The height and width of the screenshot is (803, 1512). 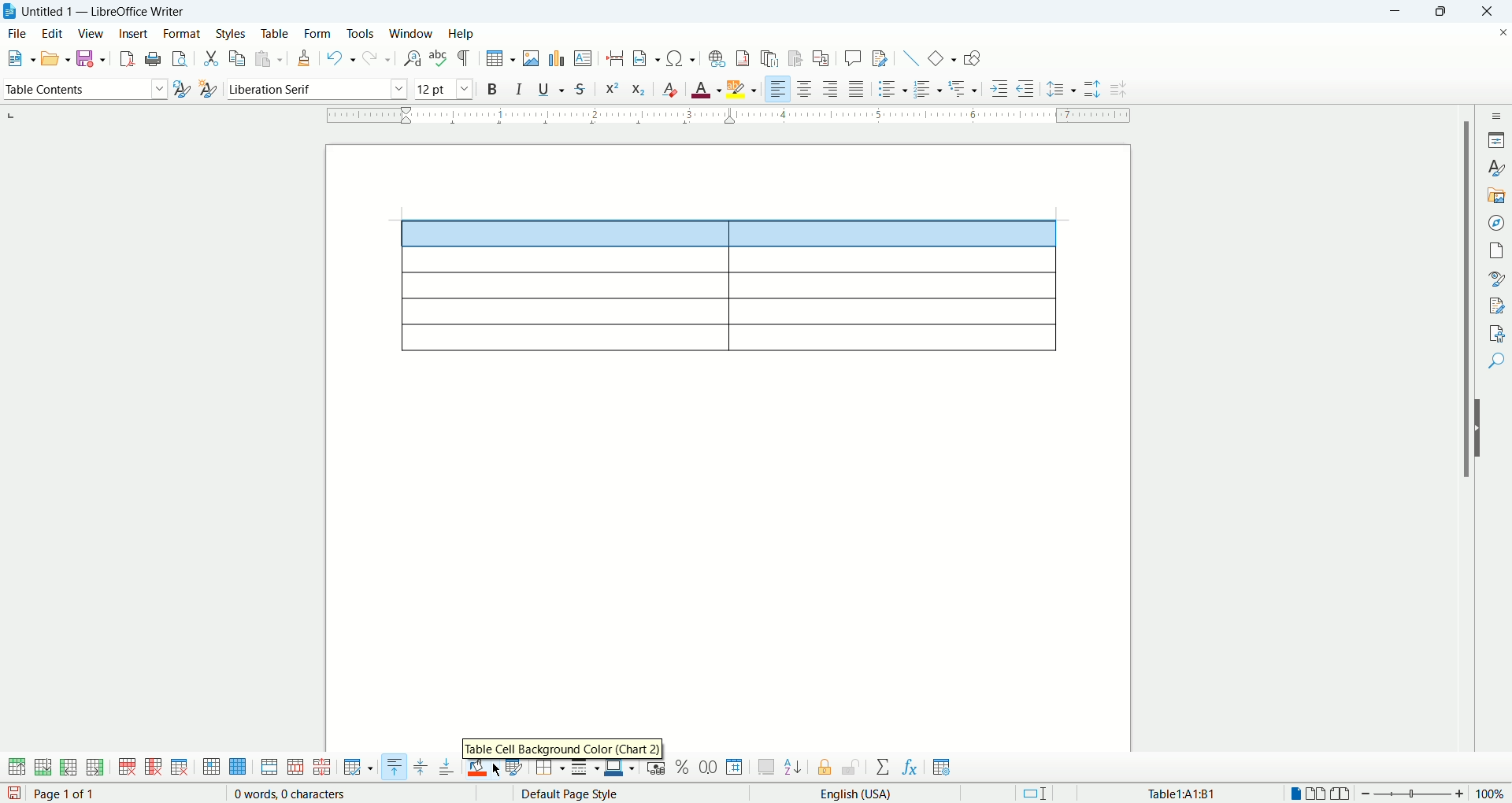 What do you see at coordinates (319, 35) in the screenshot?
I see `form` at bounding box center [319, 35].